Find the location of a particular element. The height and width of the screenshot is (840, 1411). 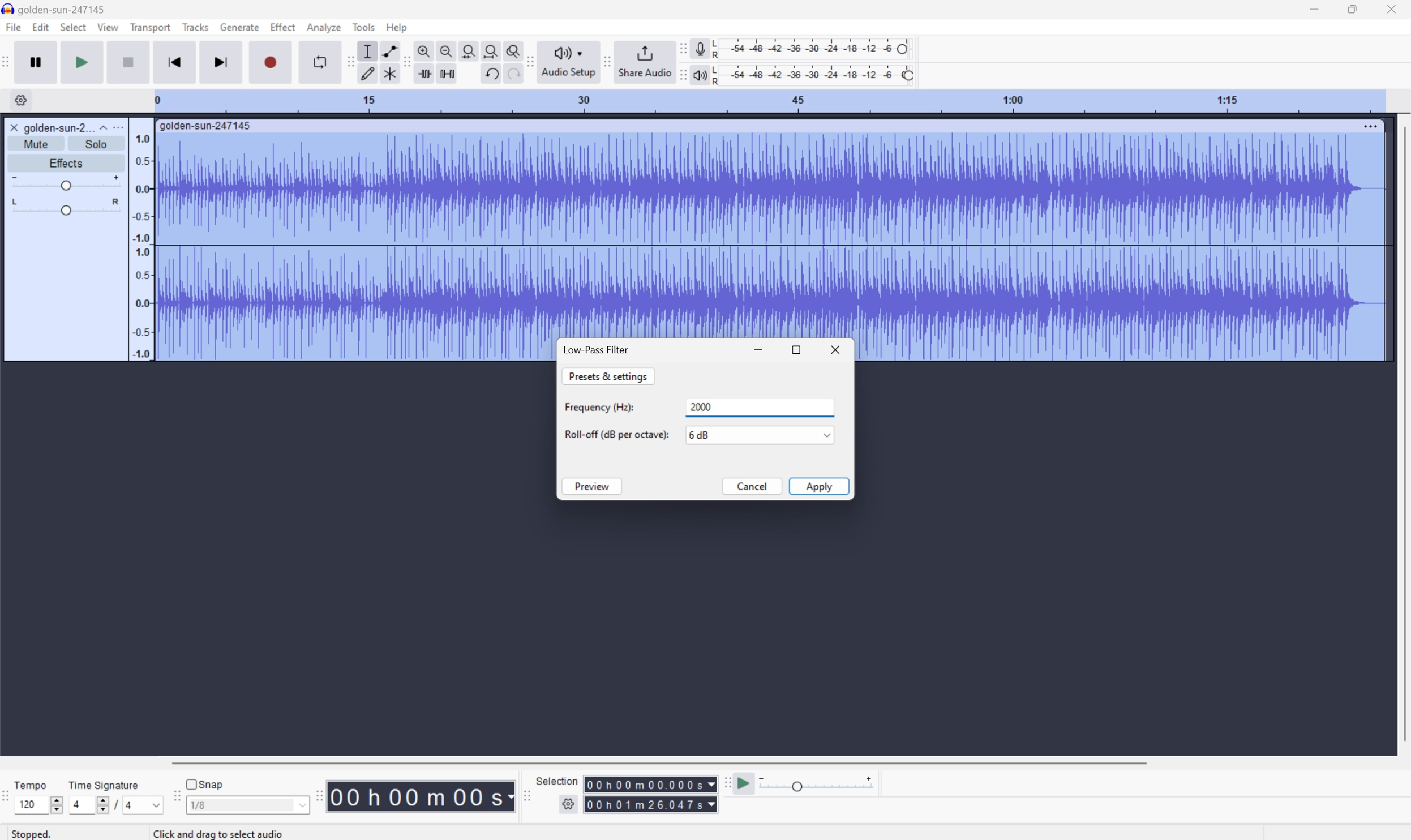

Pause is located at coordinates (40, 62).